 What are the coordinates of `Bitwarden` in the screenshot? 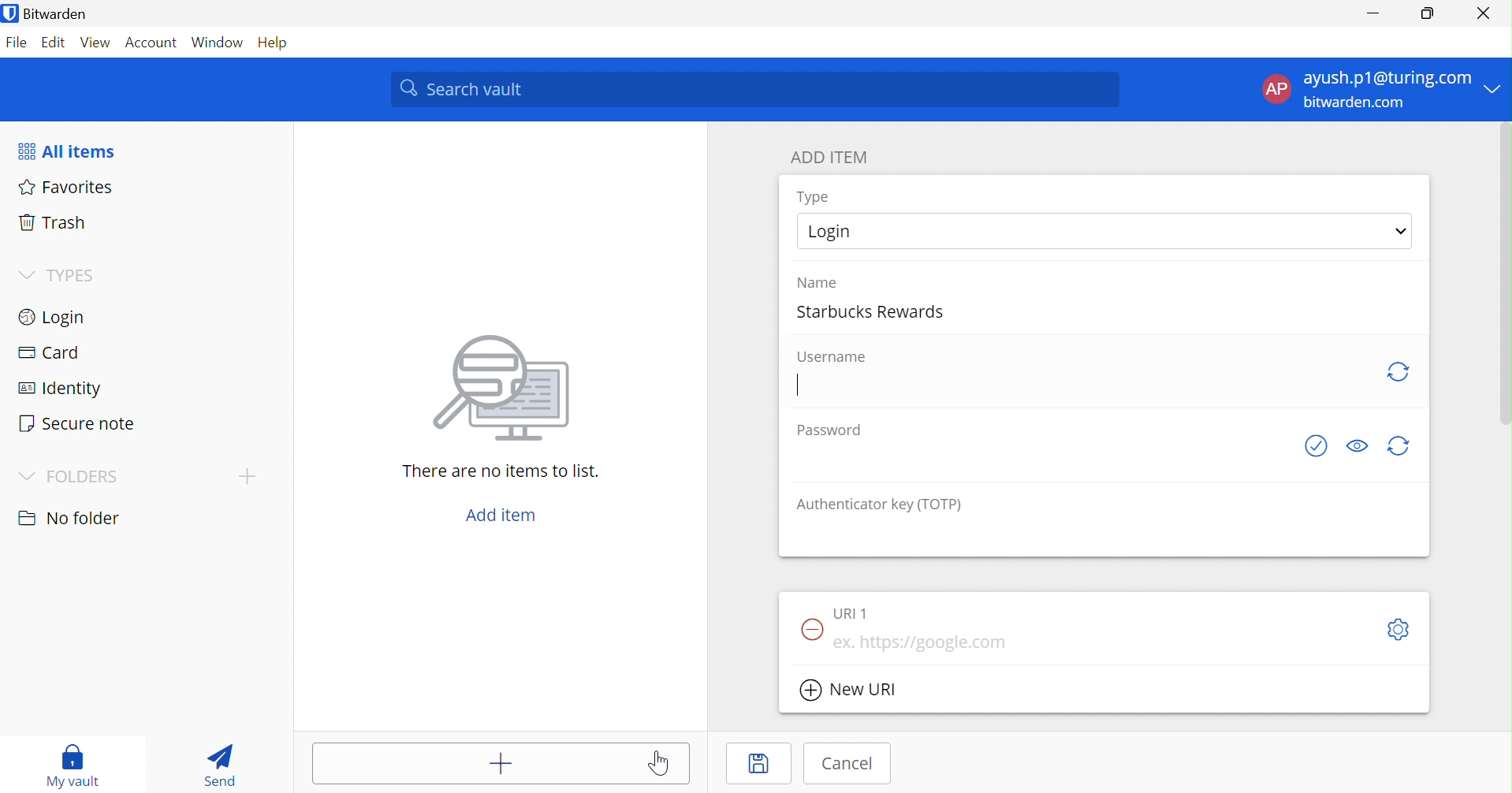 It's located at (48, 13).